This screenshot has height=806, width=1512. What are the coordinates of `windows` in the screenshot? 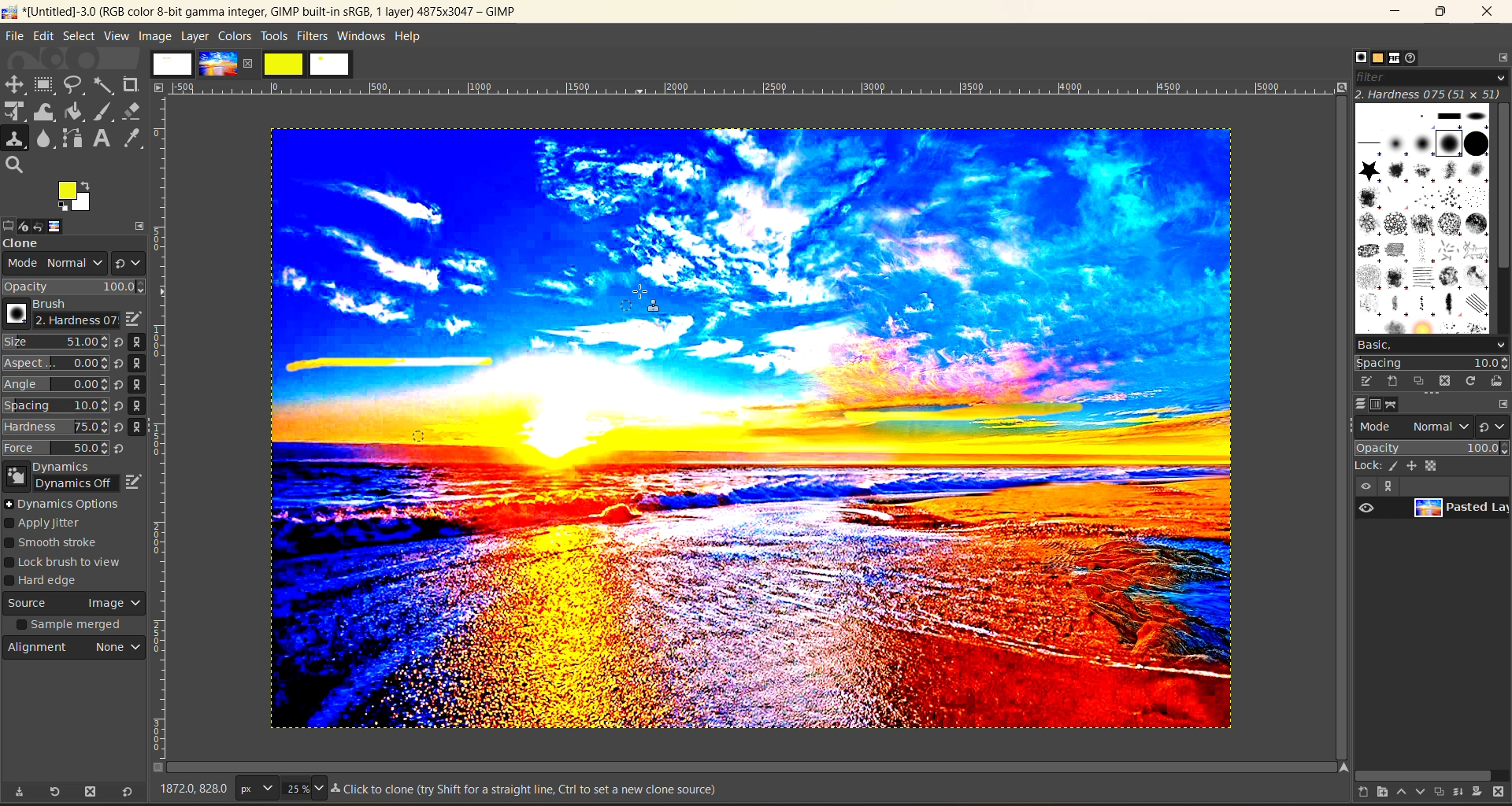 It's located at (362, 36).